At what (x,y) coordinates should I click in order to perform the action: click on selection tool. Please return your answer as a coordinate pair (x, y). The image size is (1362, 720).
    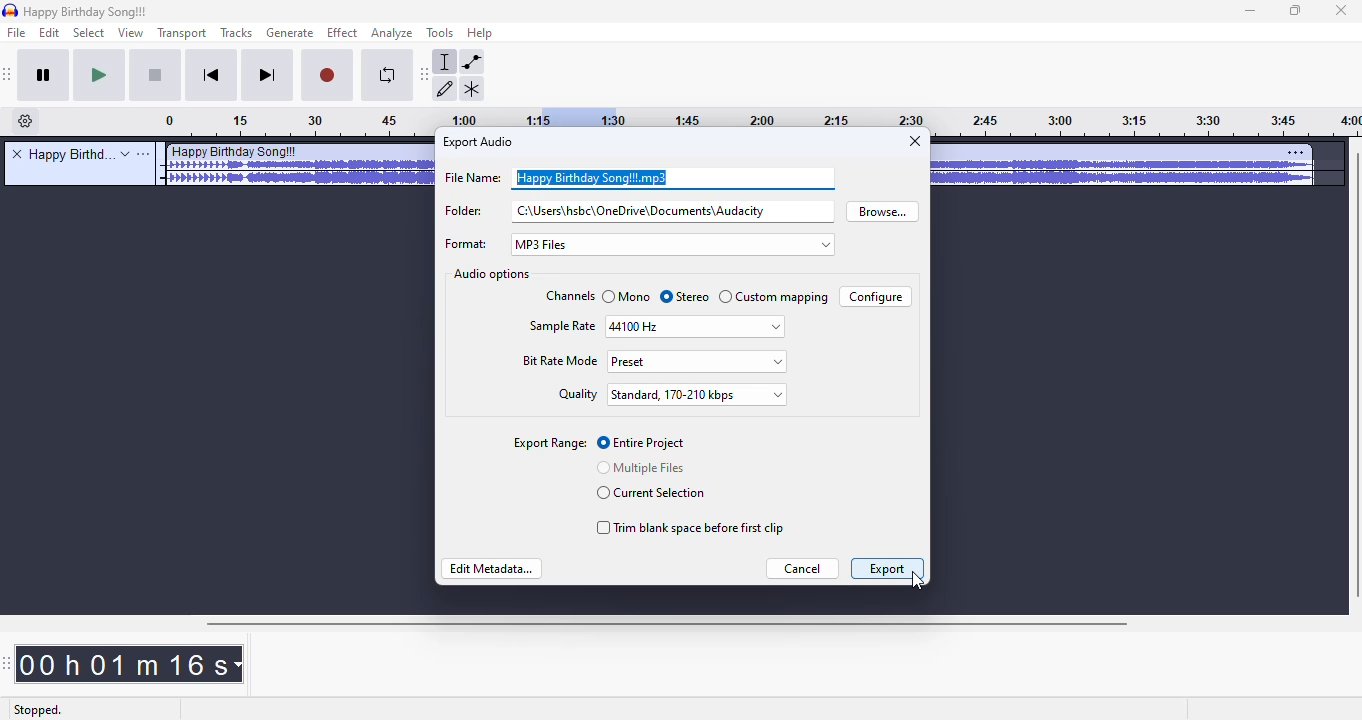
    Looking at the image, I should click on (446, 62).